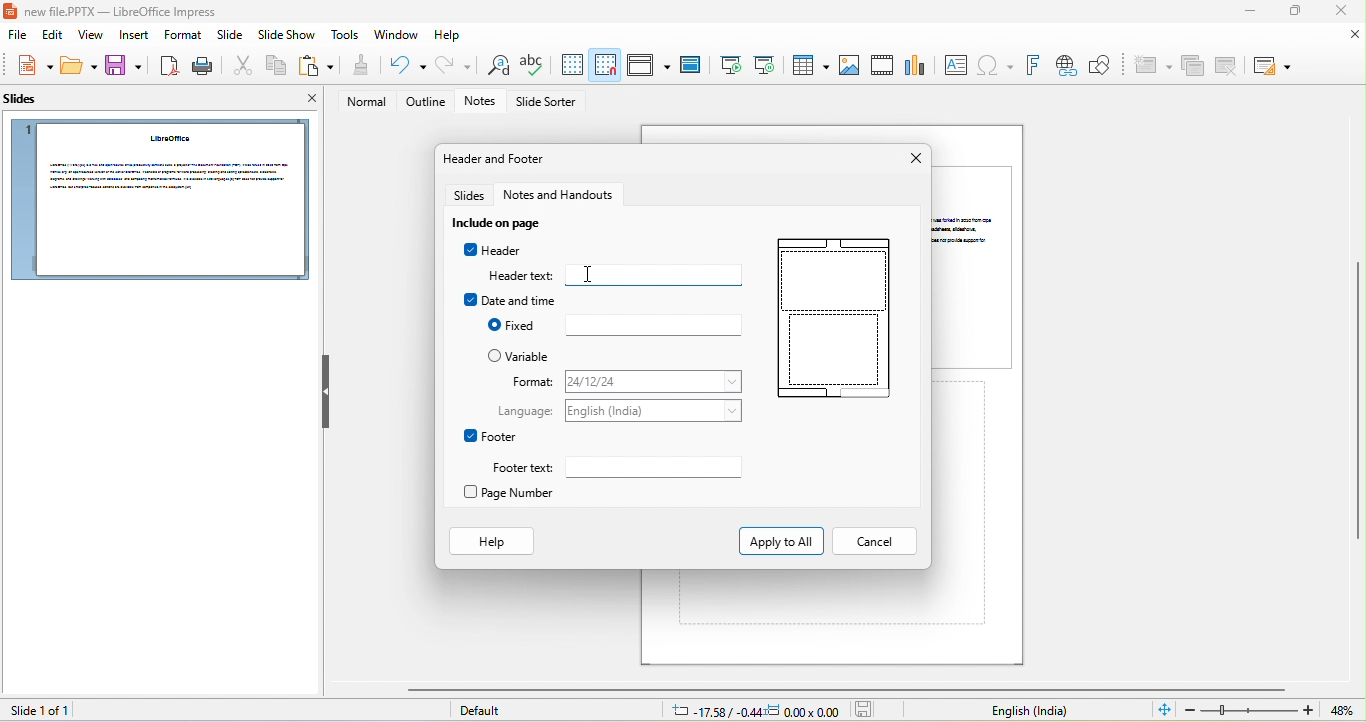 Image resolution: width=1366 pixels, height=722 pixels. Describe the element at coordinates (510, 300) in the screenshot. I see `date and time` at that location.